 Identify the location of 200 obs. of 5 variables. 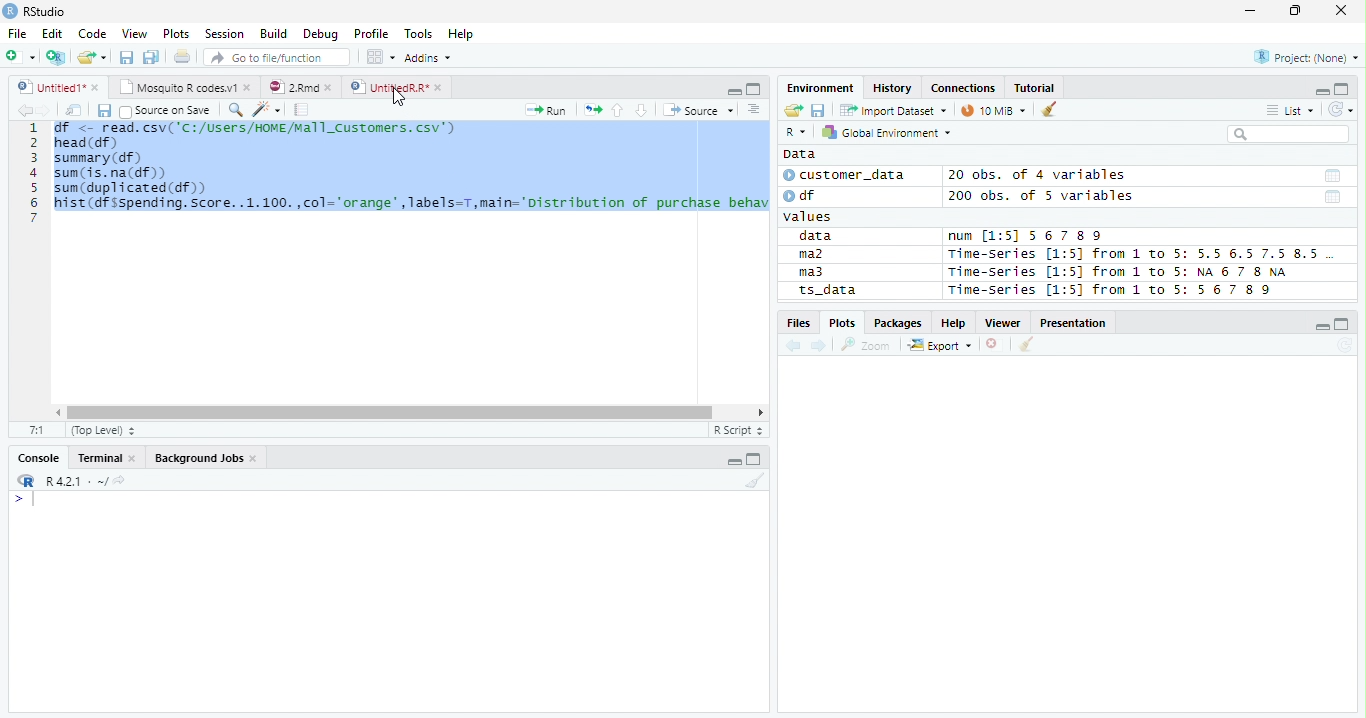
(1038, 198).